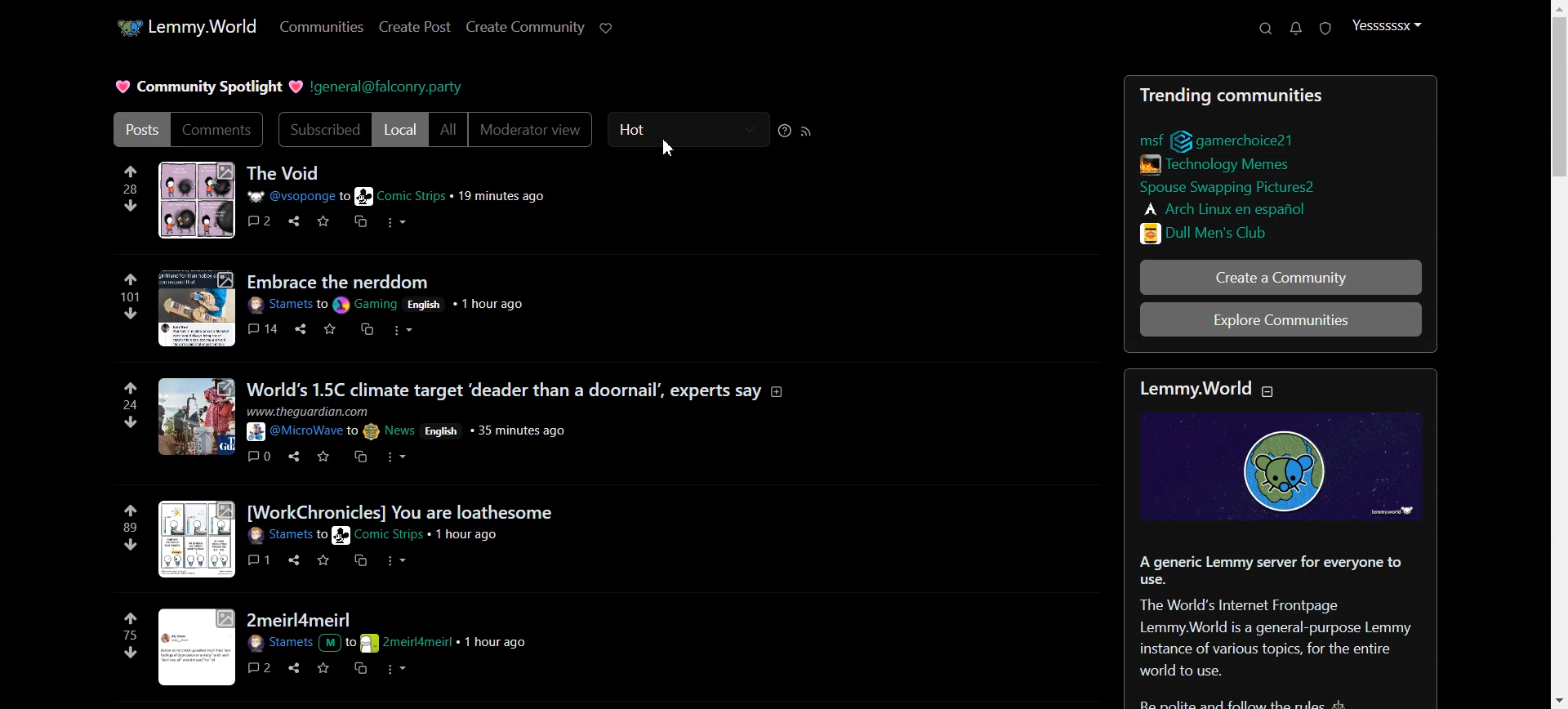 This screenshot has height=709, width=1568. I want to click on , so click(257, 559).